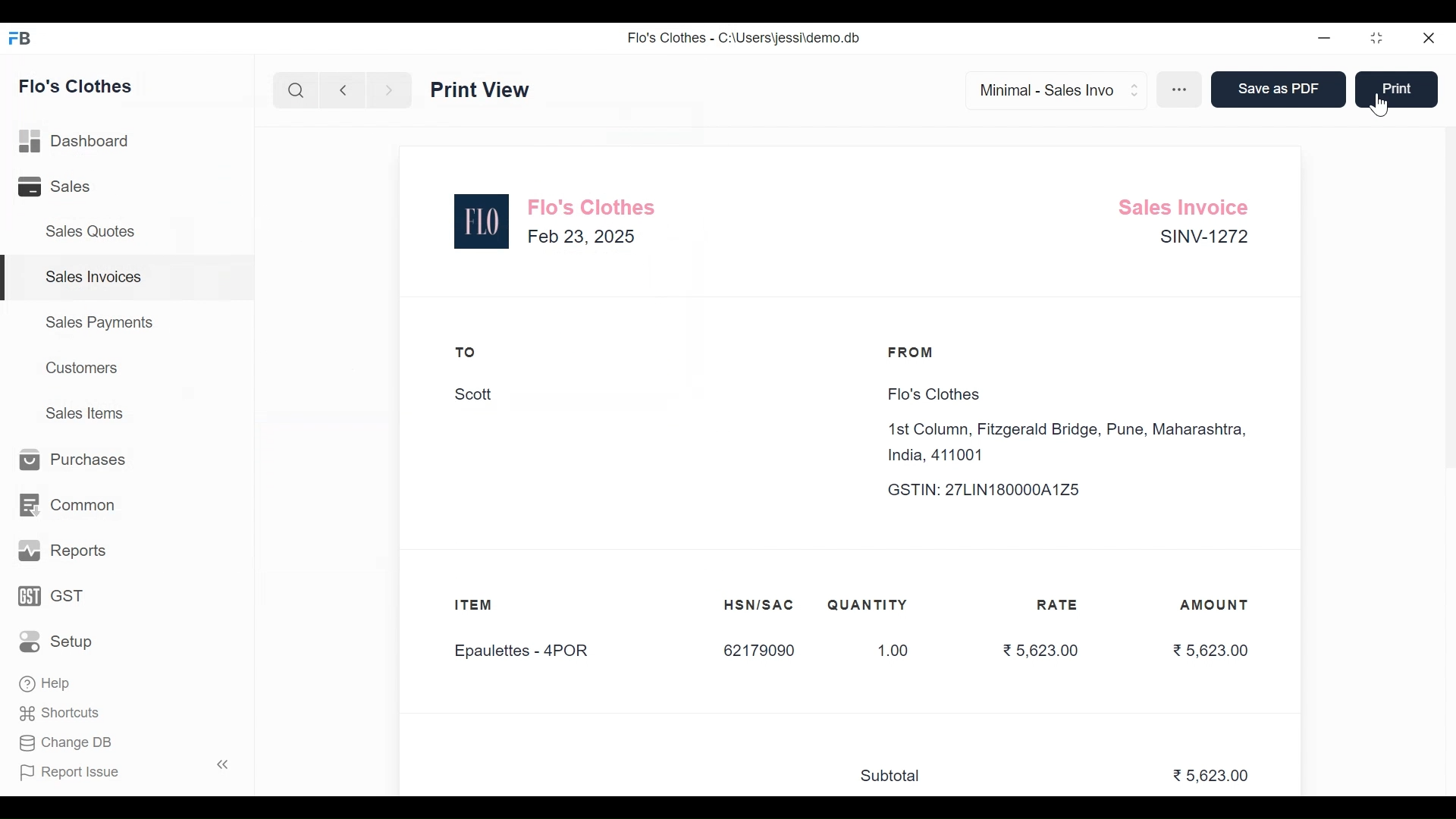 The width and height of the screenshot is (1456, 819). What do you see at coordinates (1210, 650) in the screenshot?
I see `5,623.00` at bounding box center [1210, 650].